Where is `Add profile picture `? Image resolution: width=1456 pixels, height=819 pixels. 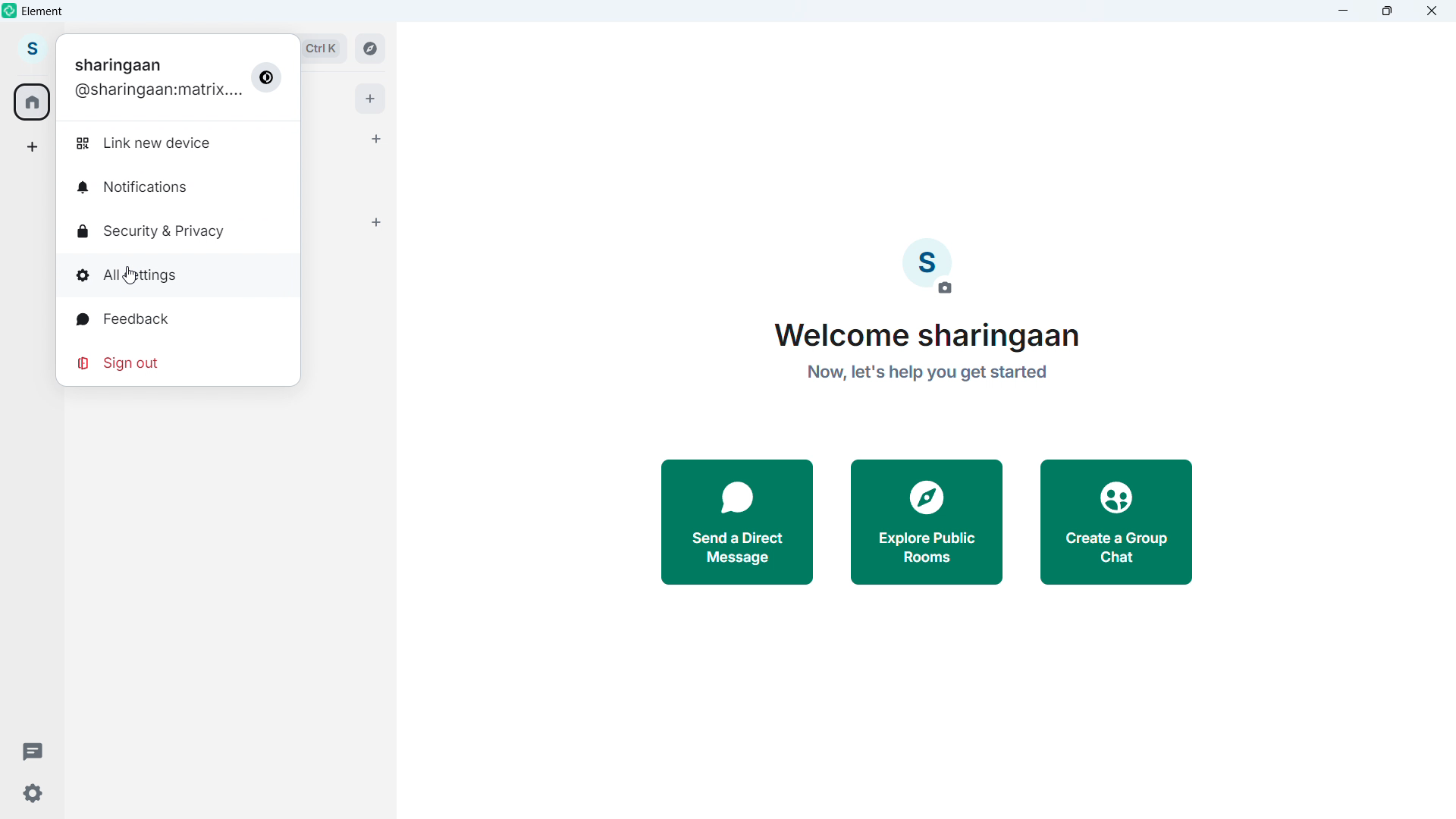
Add profile picture  is located at coordinates (933, 265).